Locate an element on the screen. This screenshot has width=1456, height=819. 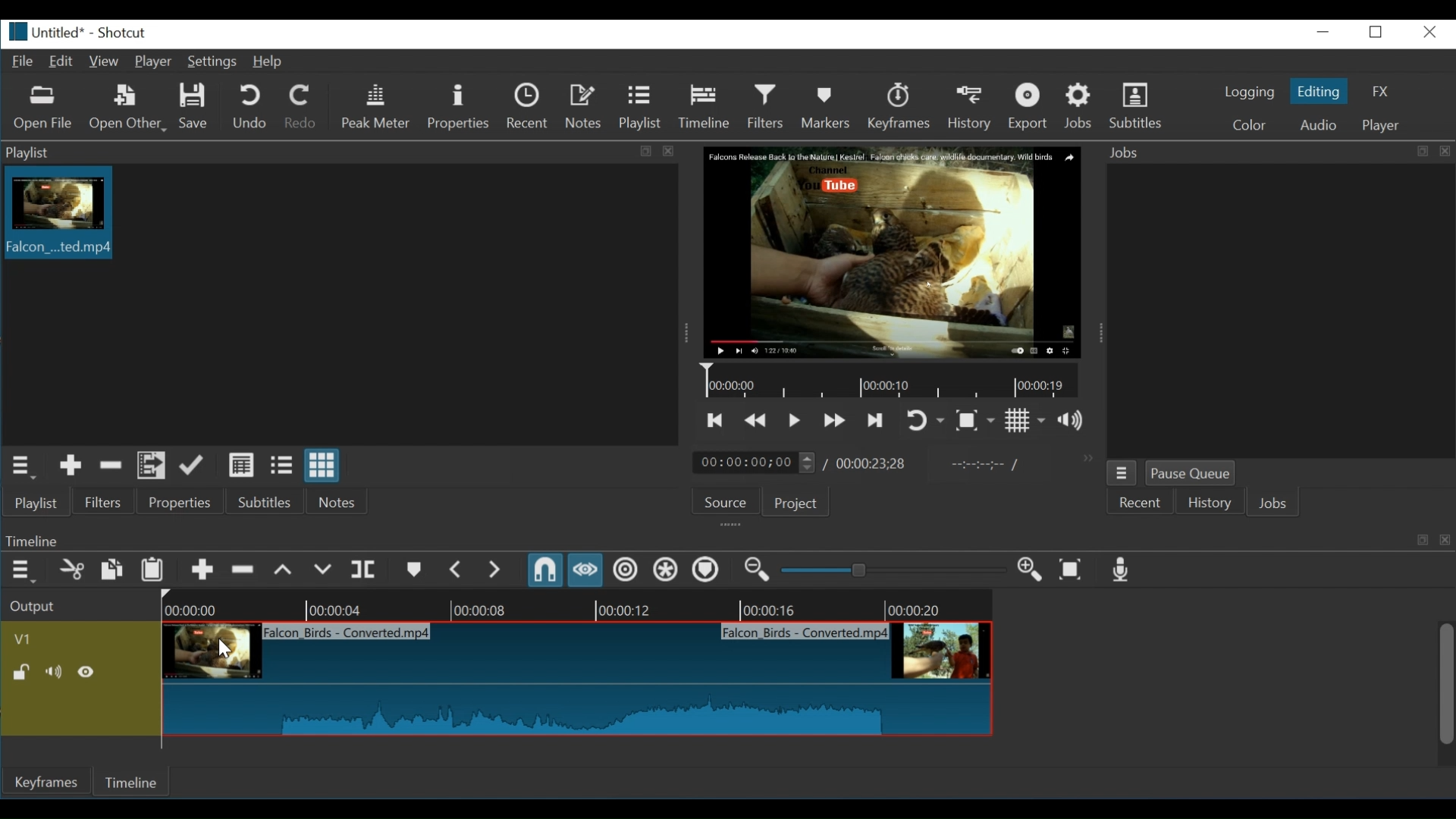
Properties is located at coordinates (458, 108).